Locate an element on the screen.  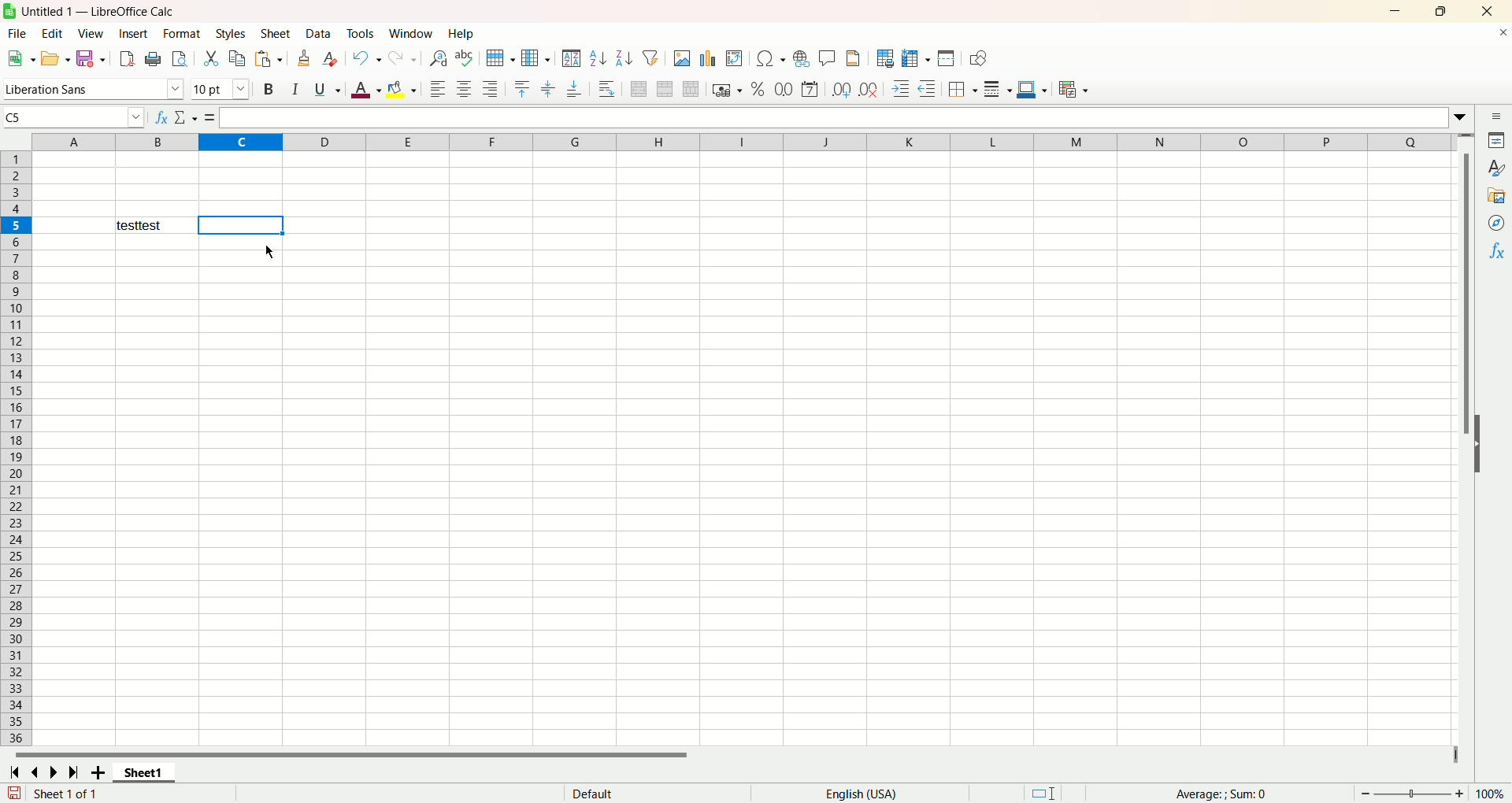
border color is located at coordinates (1032, 91).